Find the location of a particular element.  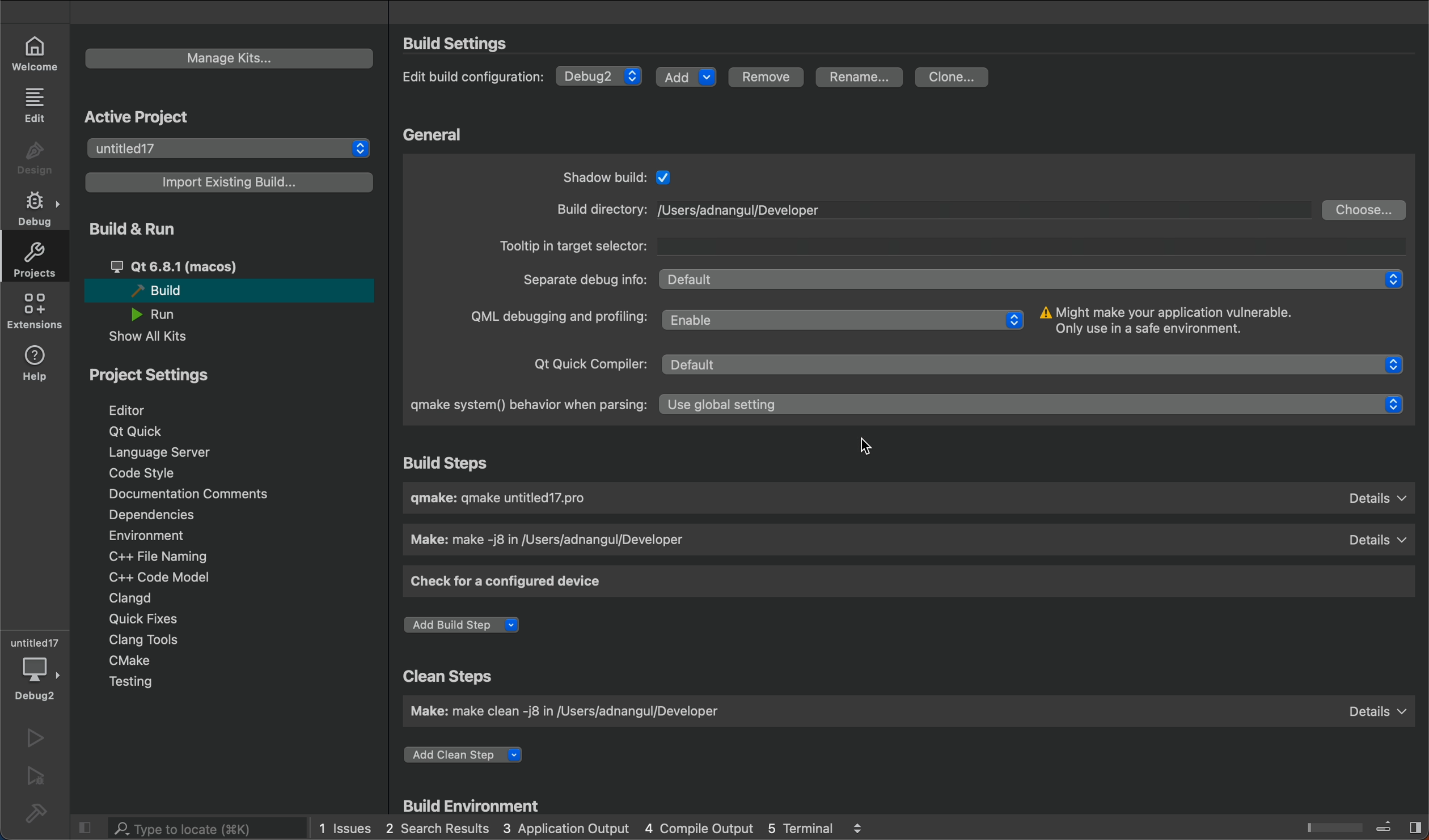

clang tools is located at coordinates (142, 639).